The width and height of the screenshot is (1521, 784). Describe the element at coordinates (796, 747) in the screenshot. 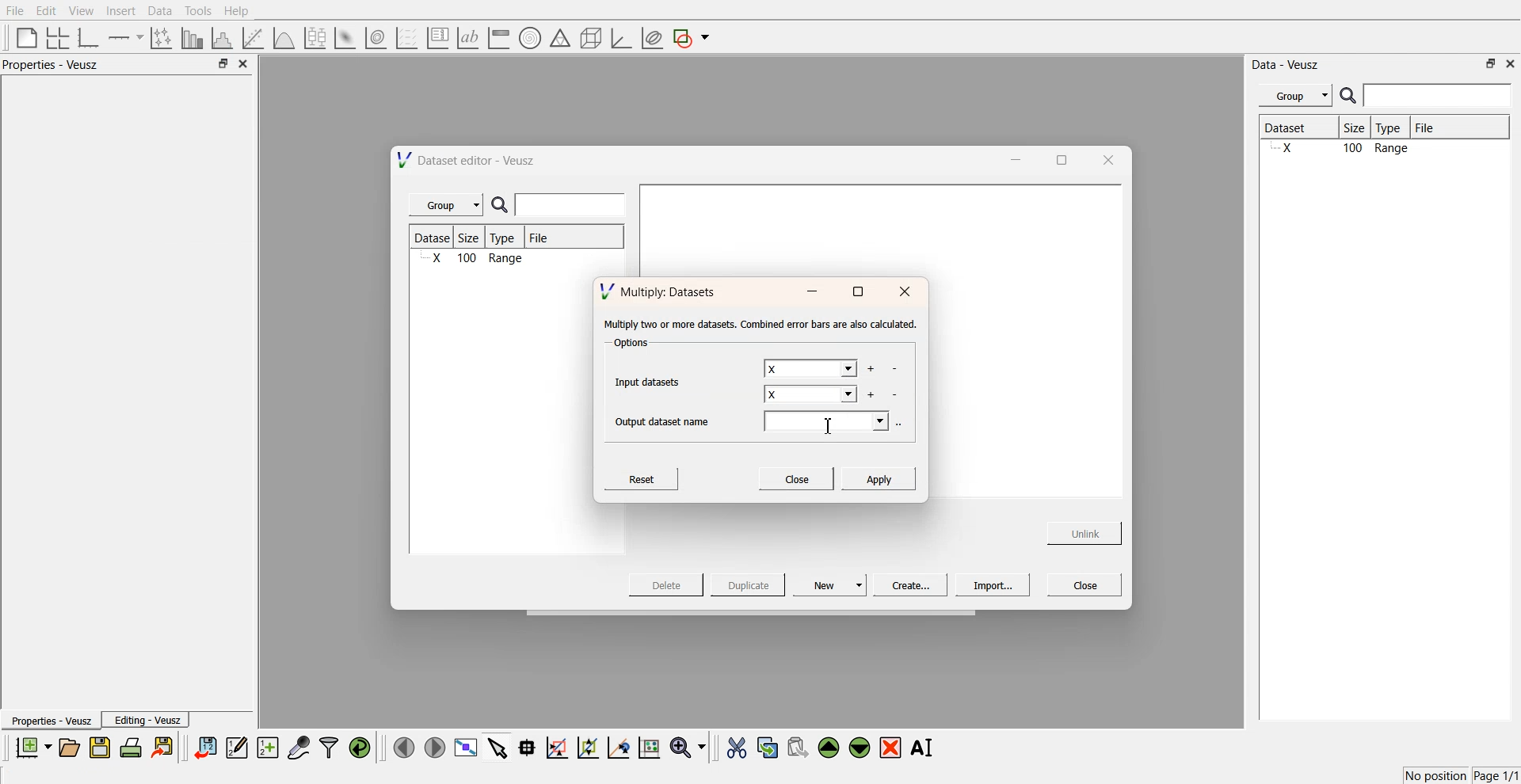

I see `paste the selected widgets` at that location.